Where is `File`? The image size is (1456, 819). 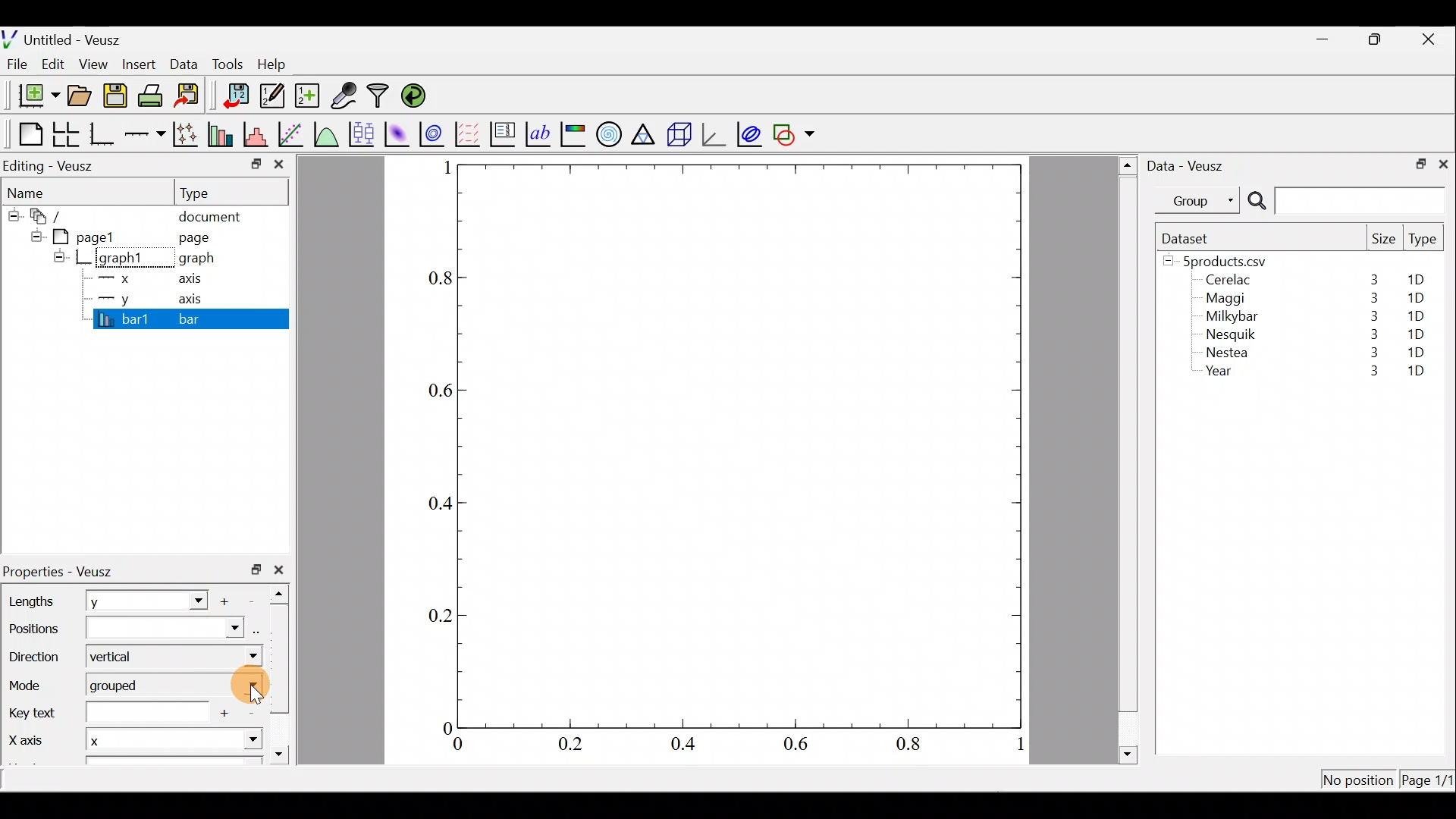 File is located at coordinates (14, 64).